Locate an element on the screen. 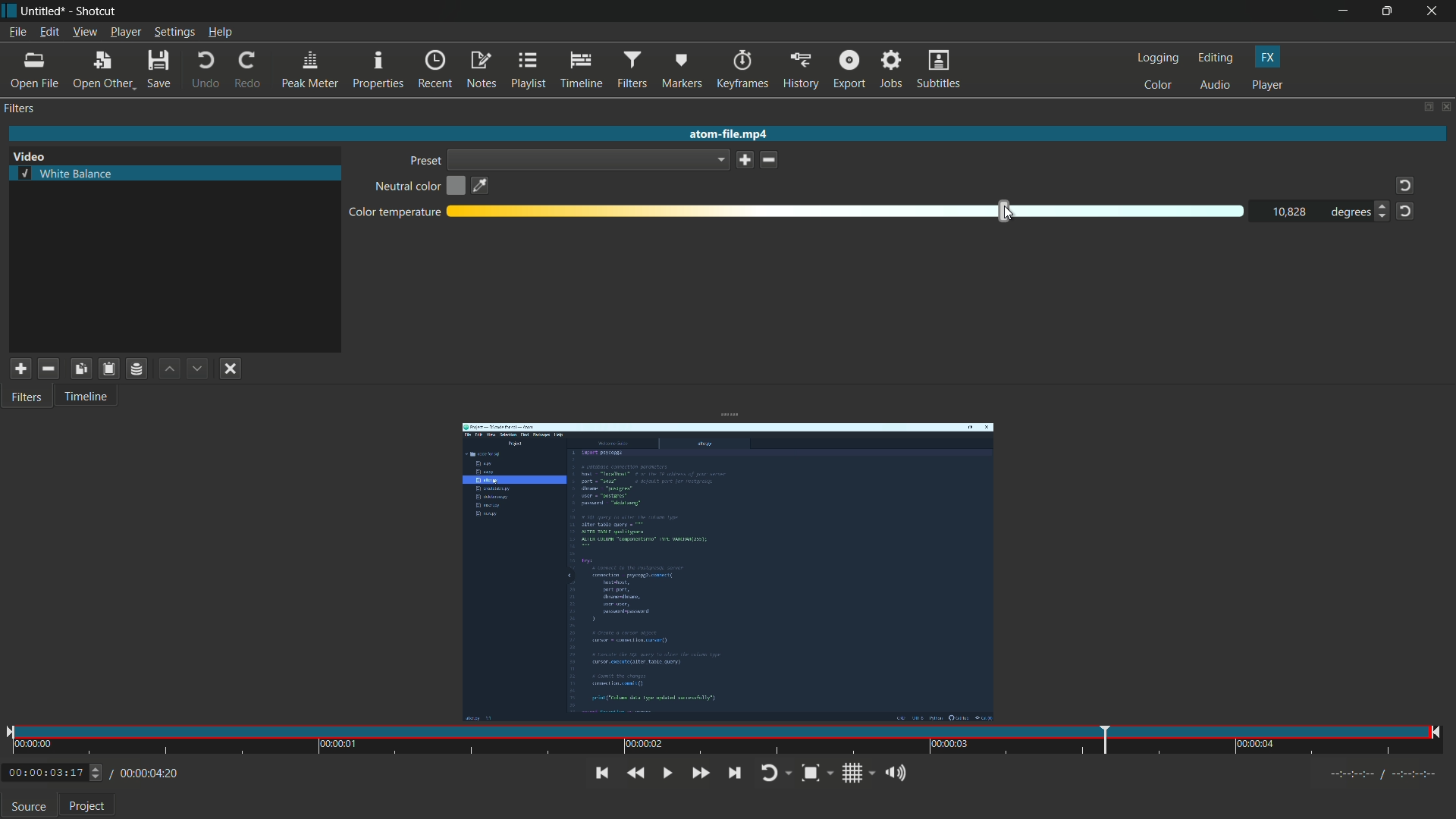 This screenshot has width=1456, height=819. file menu is located at coordinates (17, 31).